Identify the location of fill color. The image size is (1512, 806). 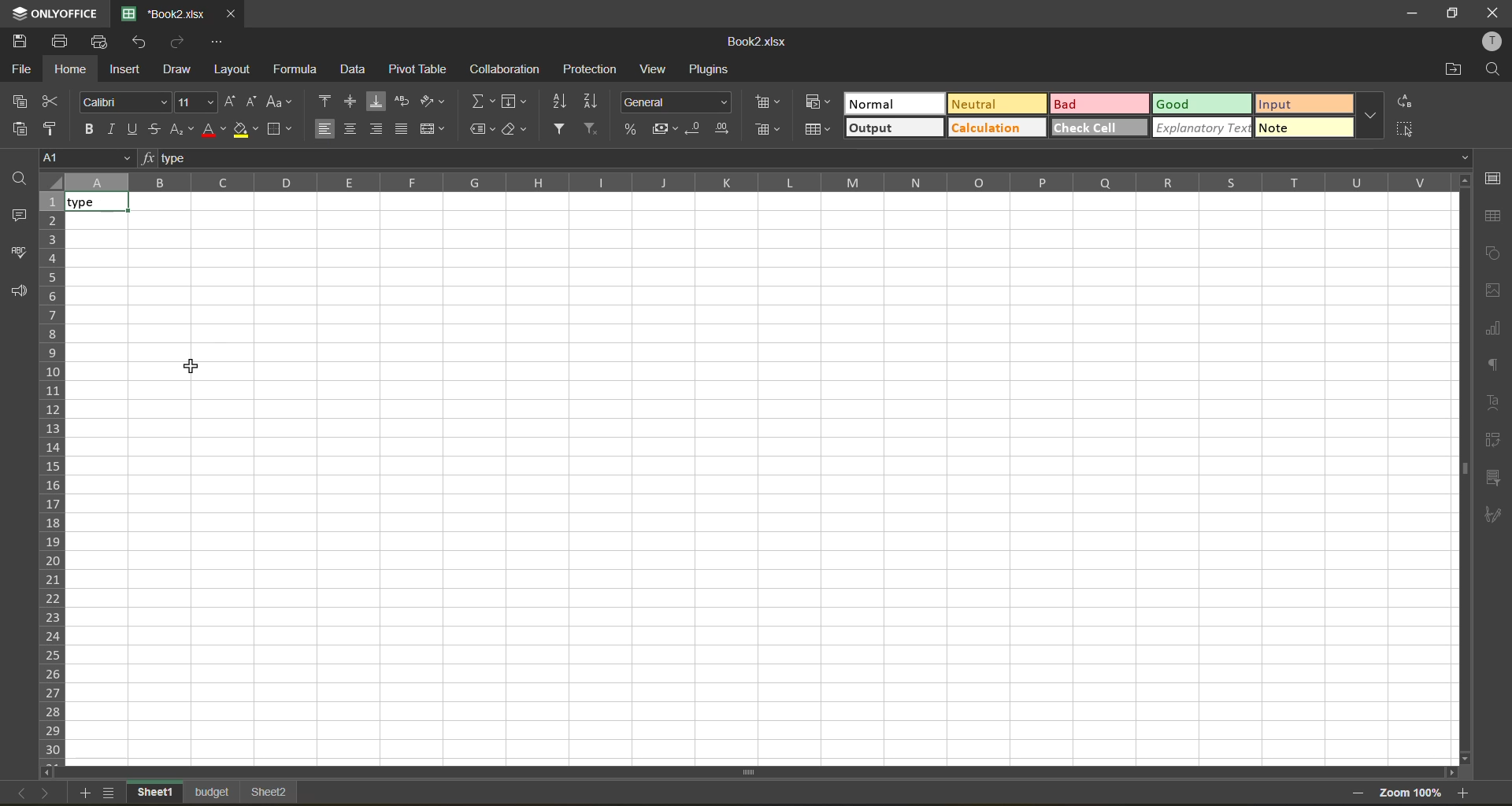
(246, 129).